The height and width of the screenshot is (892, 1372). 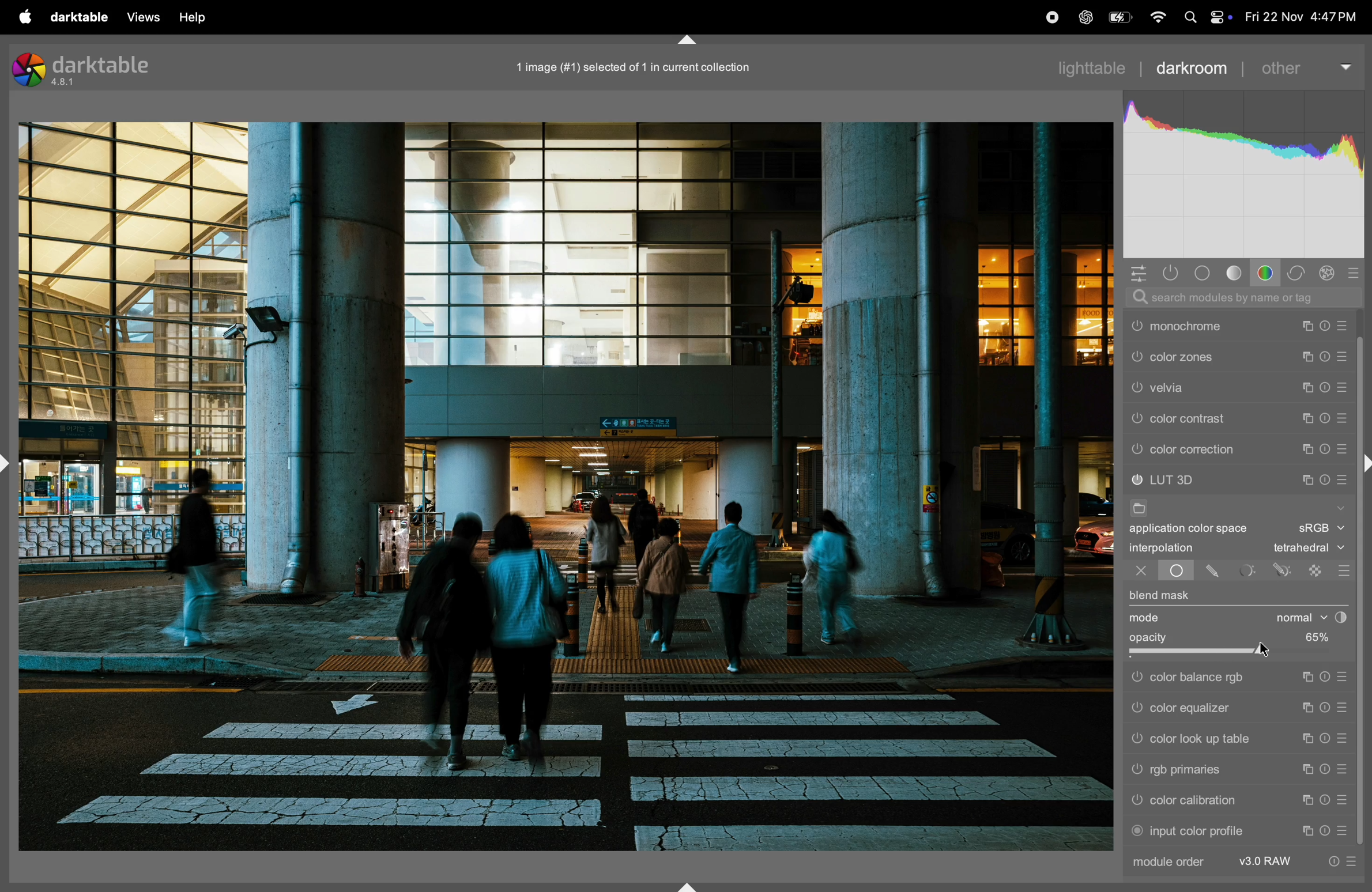 I want to click on rgb primaries switched off, so click(x=1136, y=770).